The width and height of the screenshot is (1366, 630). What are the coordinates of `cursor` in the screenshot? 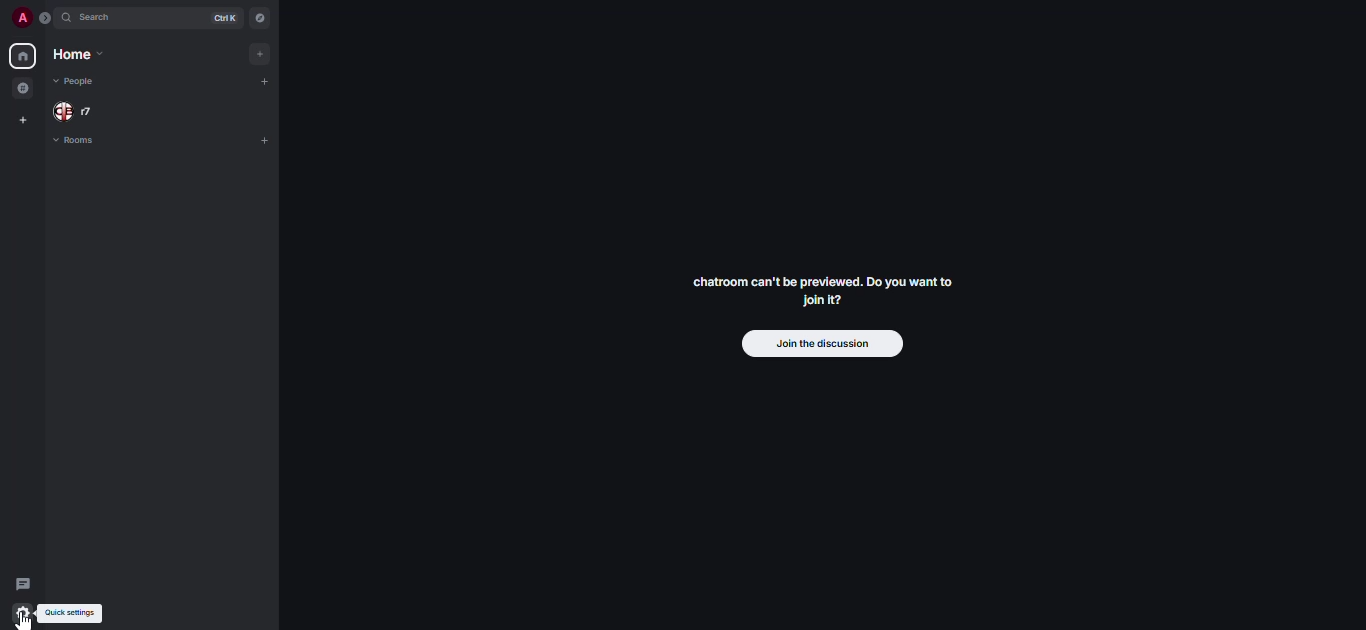 It's located at (27, 621).